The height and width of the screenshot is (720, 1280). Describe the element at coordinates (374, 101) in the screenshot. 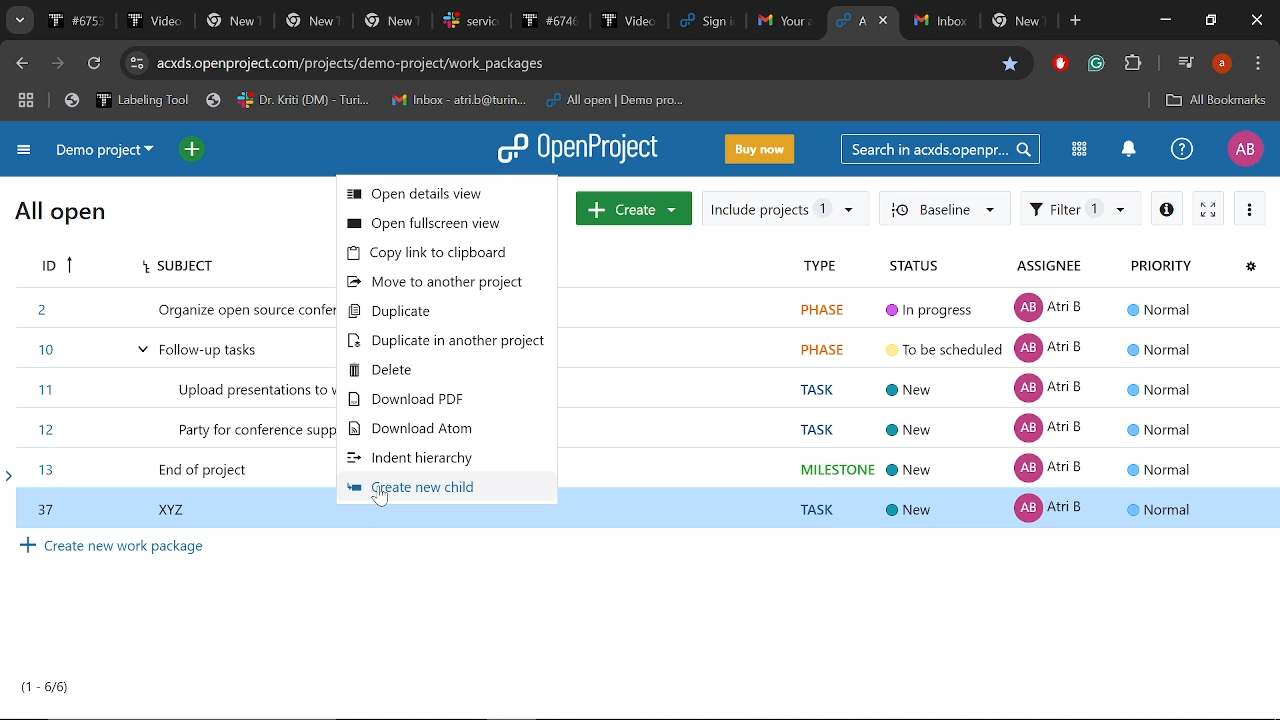

I see `Bookmarks` at that location.